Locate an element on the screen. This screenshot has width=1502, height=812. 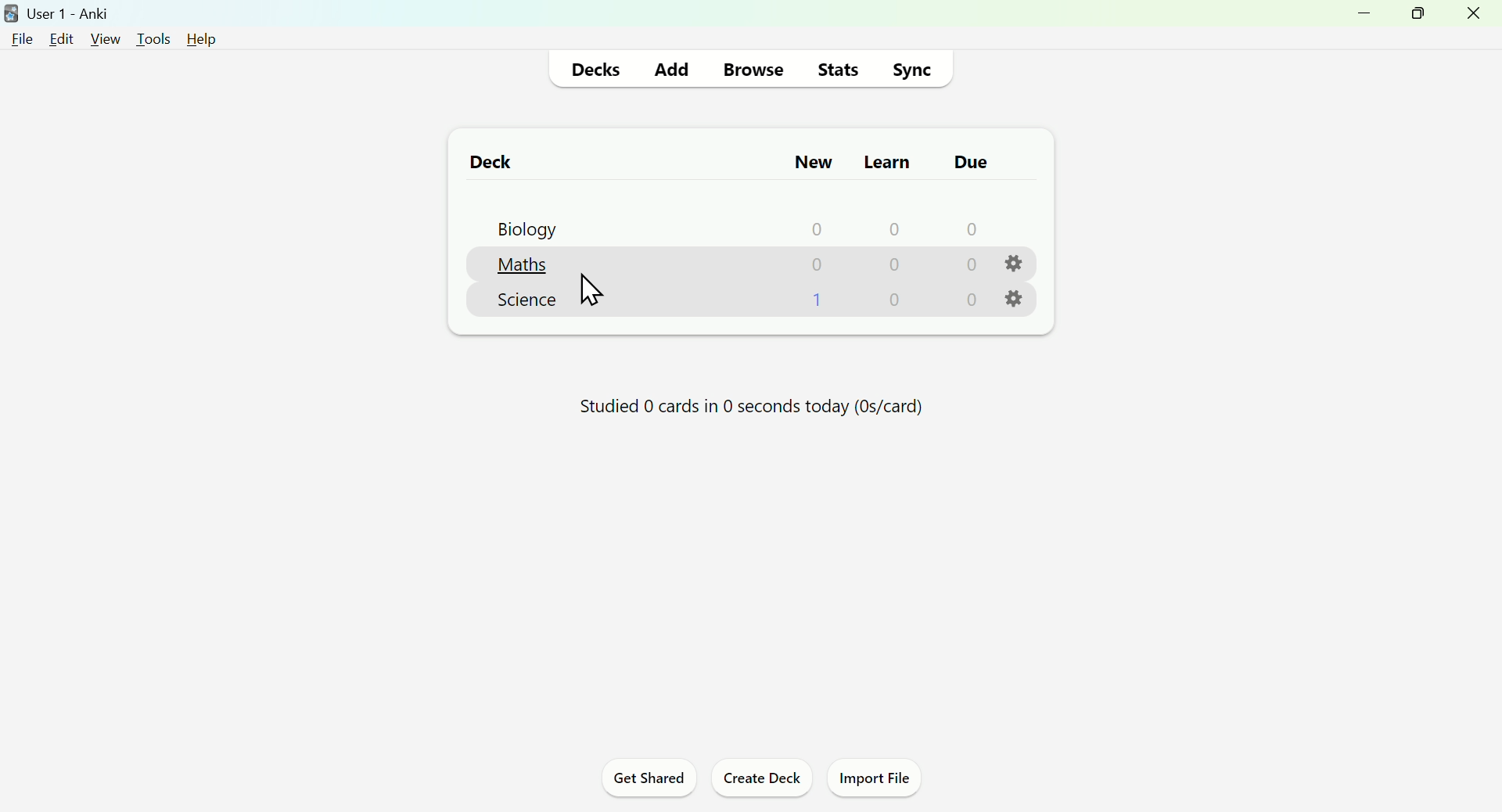
Science is located at coordinates (527, 300).